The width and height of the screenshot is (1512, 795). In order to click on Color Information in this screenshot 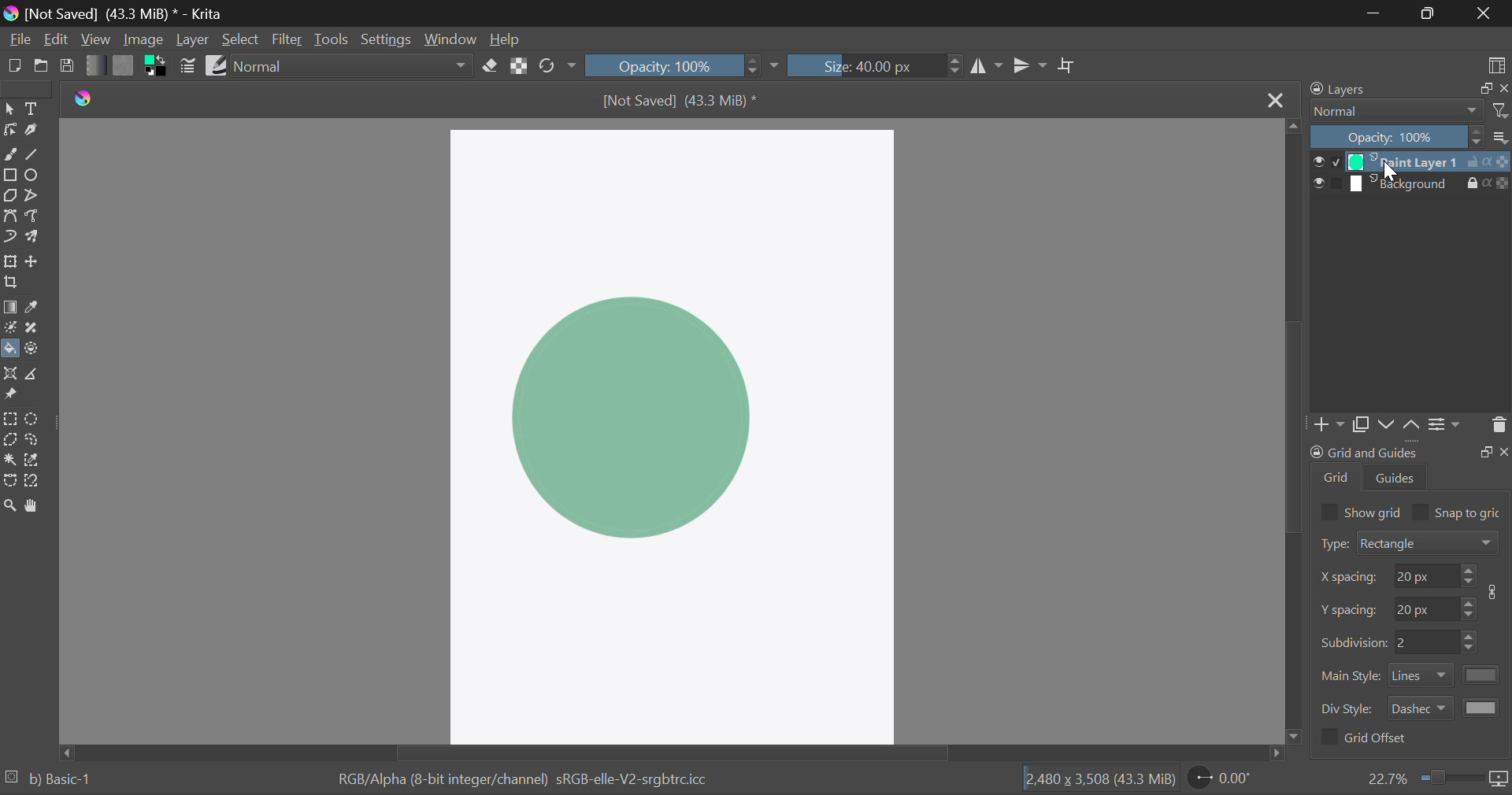, I will do `click(517, 781)`.